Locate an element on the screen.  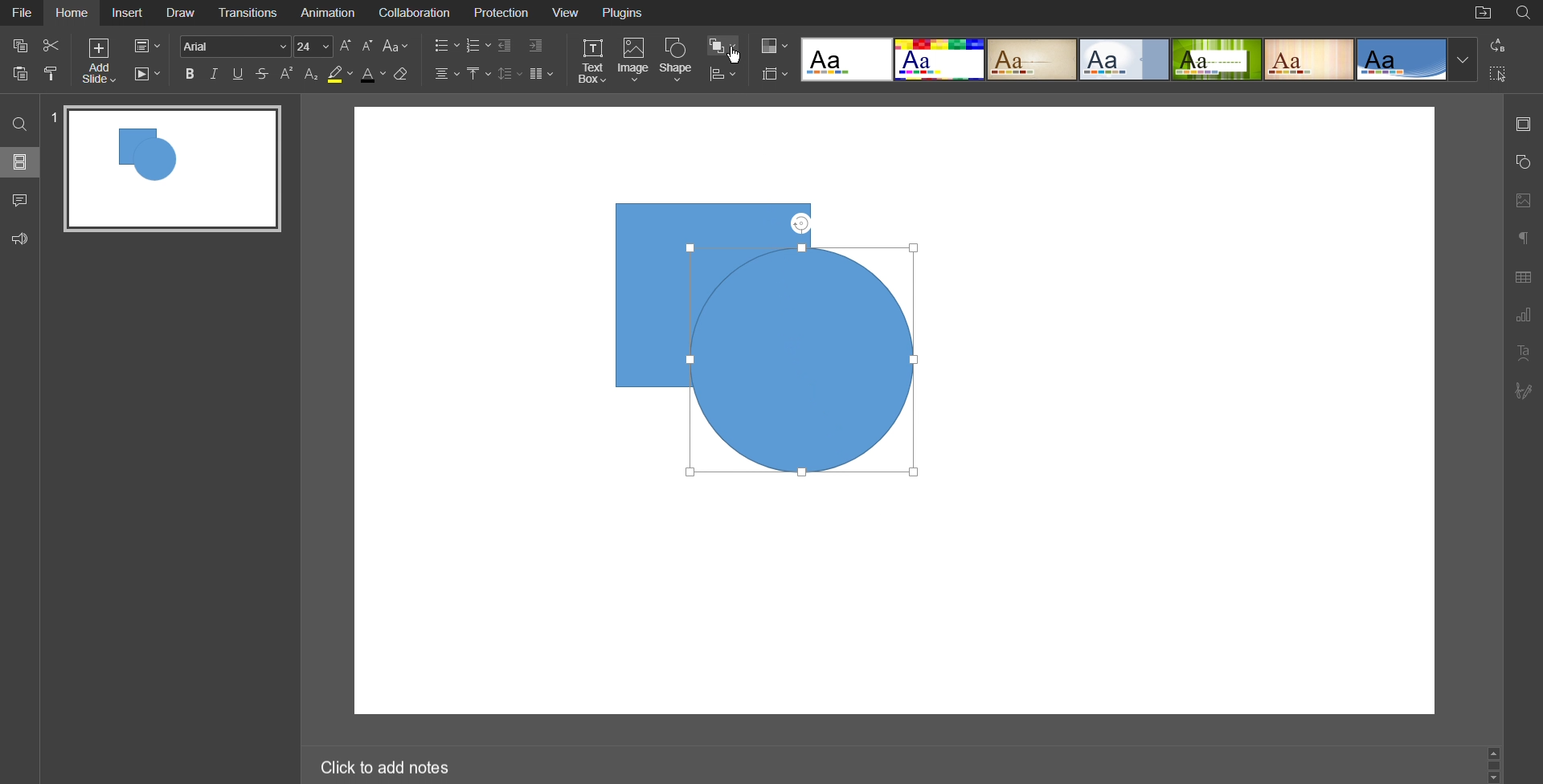
Highlight Color is located at coordinates (341, 73).